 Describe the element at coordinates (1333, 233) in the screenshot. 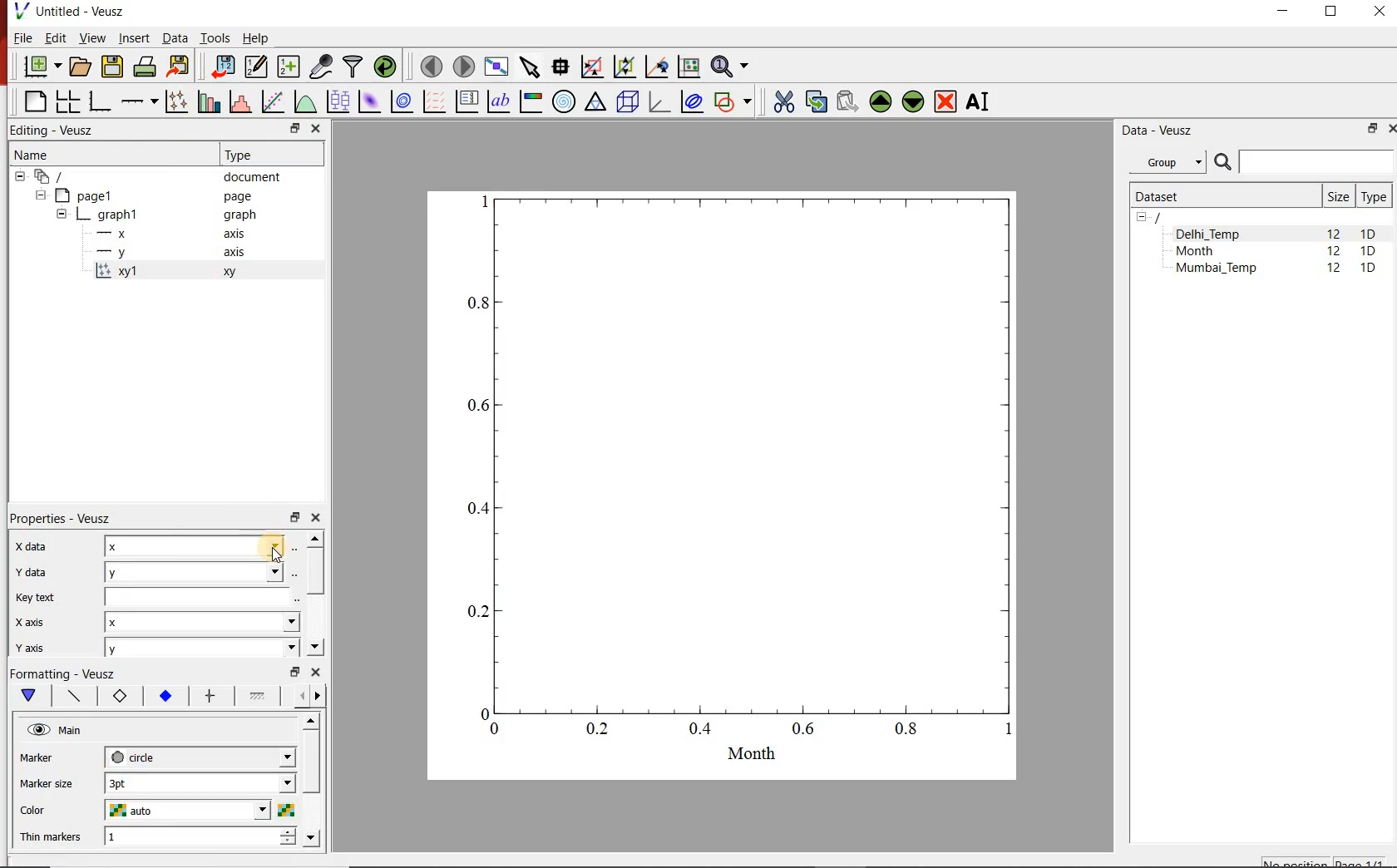

I see `12` at that location.